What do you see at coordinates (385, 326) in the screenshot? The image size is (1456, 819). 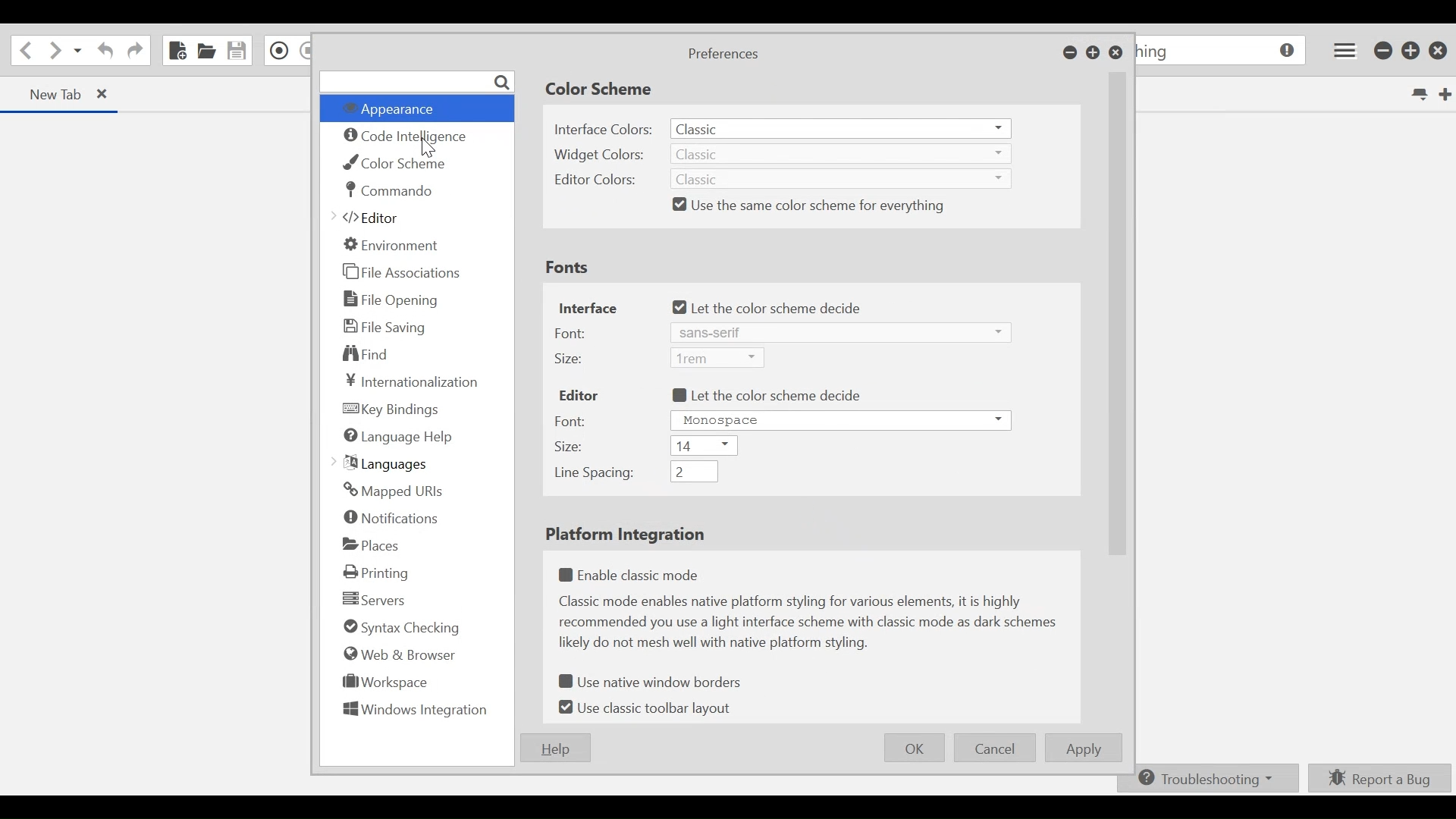 I see `File Saving` at bounding box center [385, 326].